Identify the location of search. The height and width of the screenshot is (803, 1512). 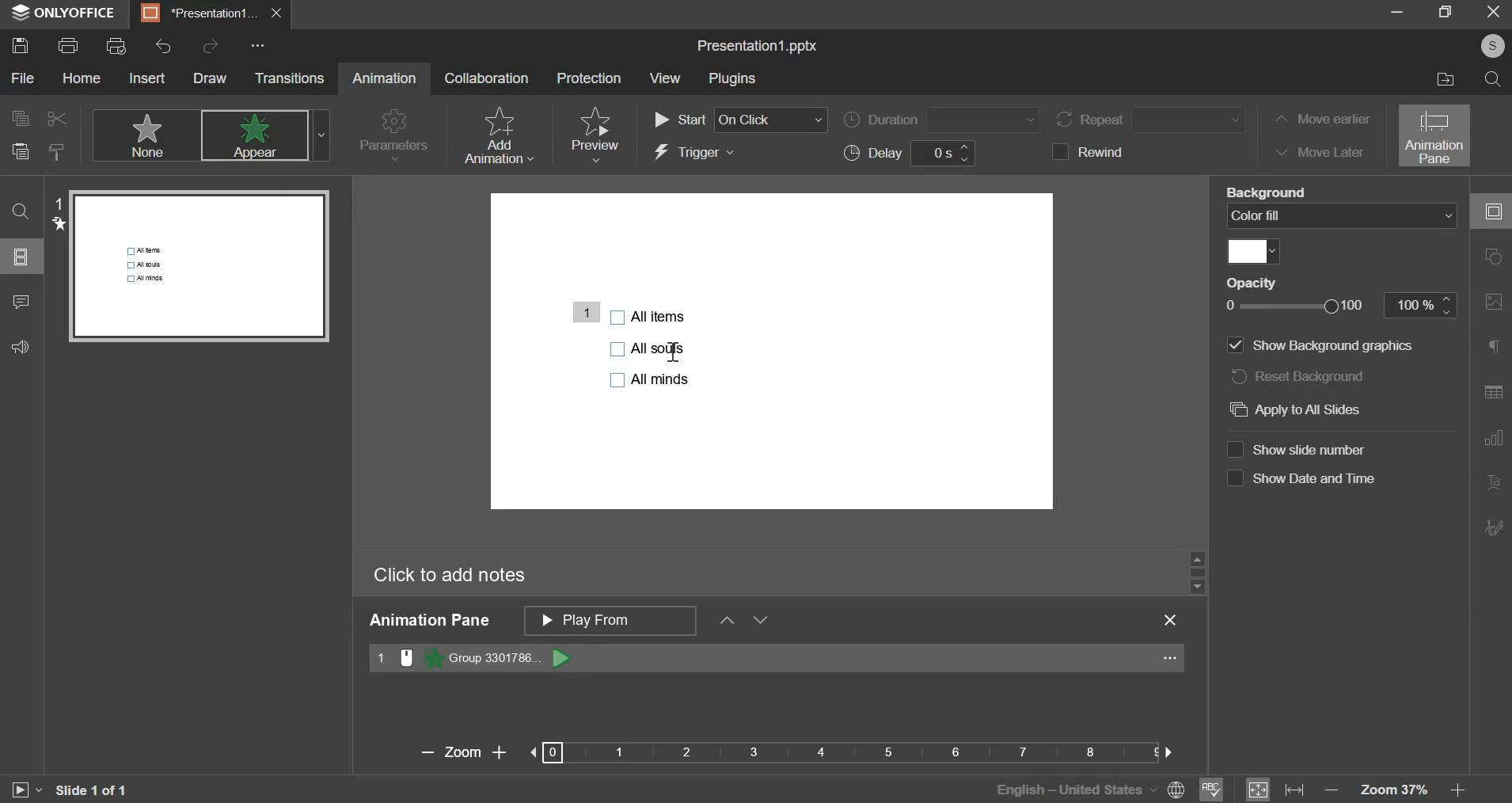
(1492, 78).